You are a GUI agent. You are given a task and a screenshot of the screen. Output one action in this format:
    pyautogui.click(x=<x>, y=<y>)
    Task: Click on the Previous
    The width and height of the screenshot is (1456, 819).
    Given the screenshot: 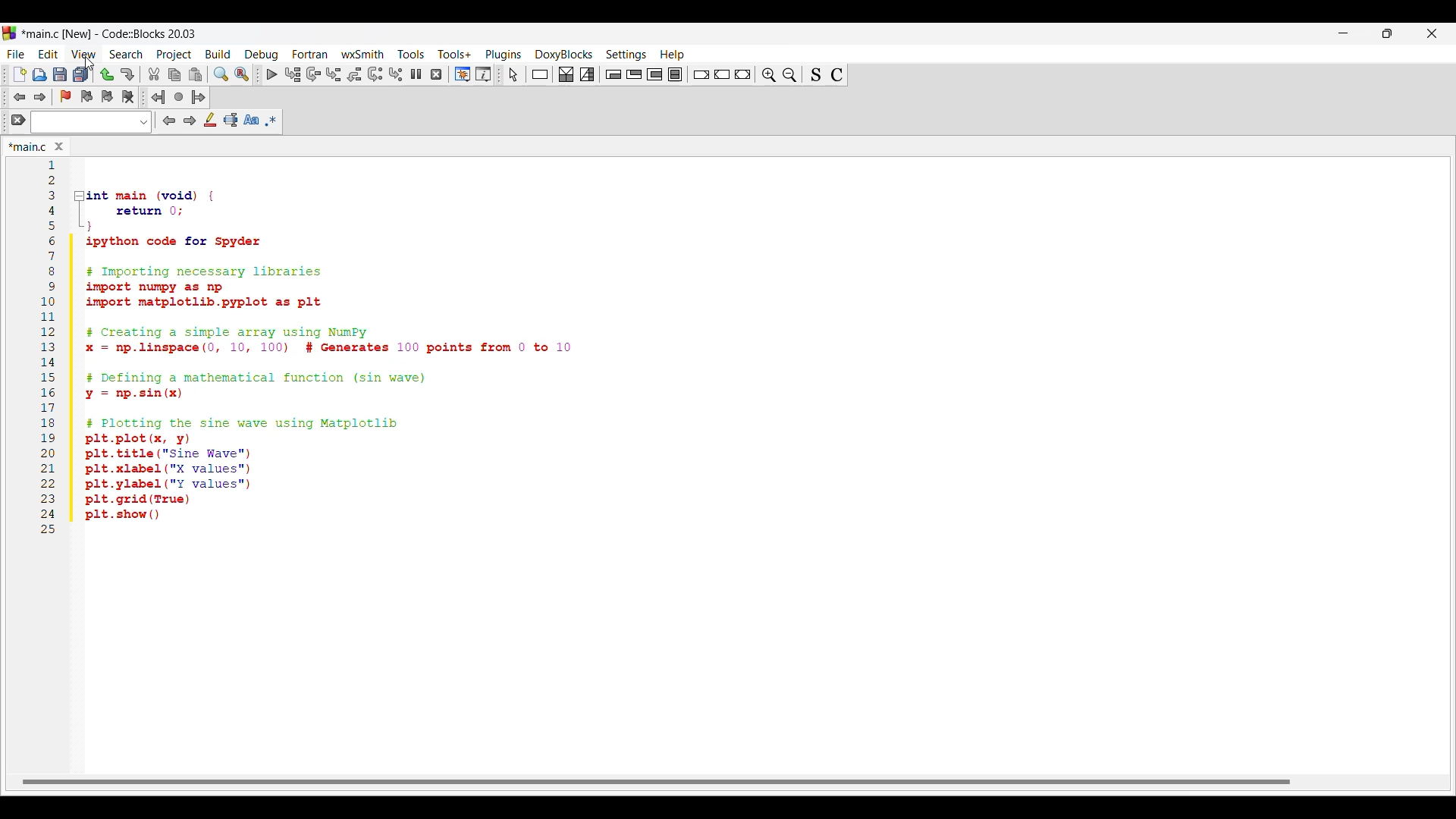 What is the action you would take?
    pyautogui.click(x=169, y=121)
    